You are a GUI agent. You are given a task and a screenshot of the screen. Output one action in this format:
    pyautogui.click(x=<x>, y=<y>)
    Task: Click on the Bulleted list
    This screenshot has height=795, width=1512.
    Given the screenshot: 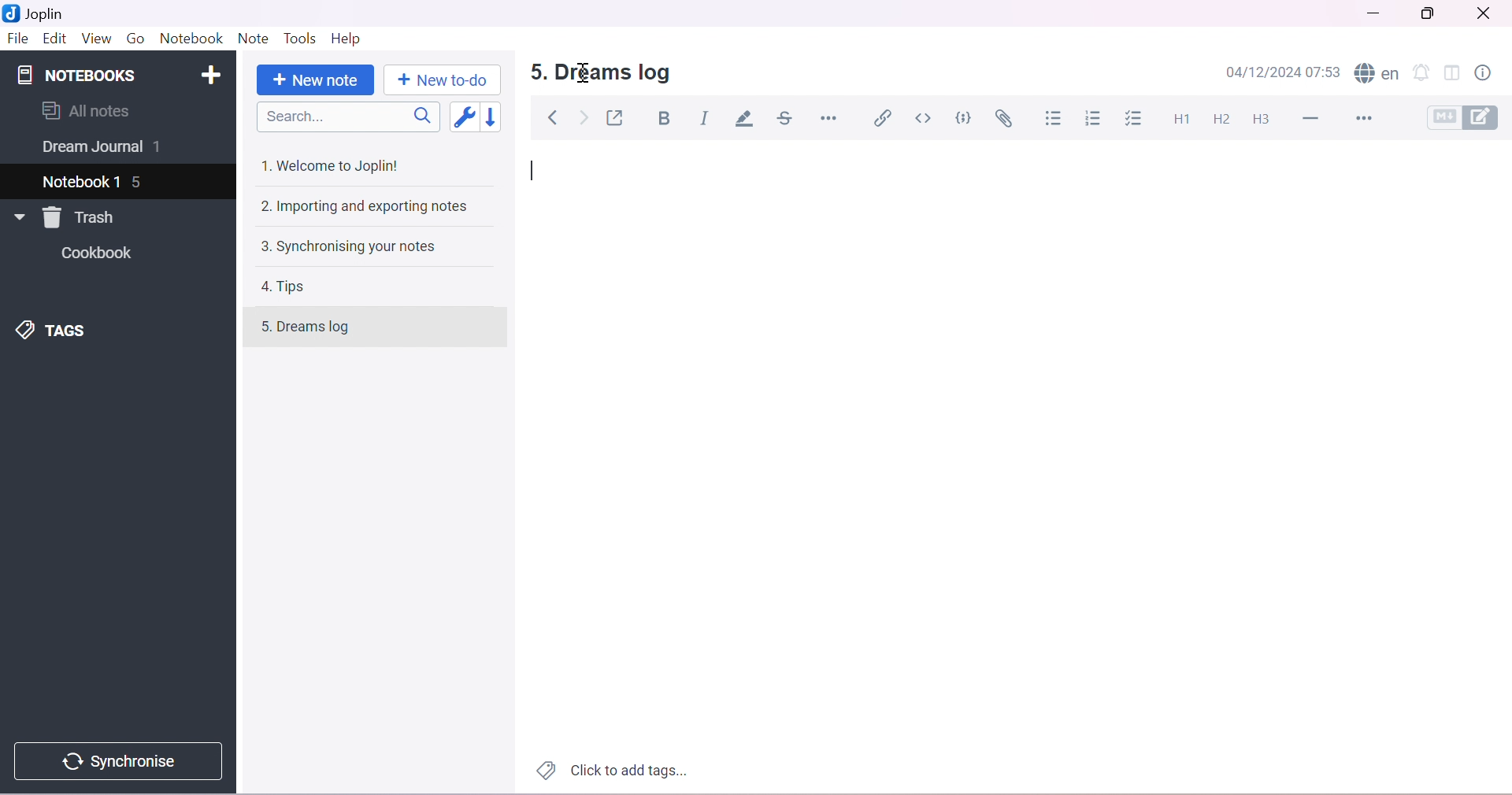 What is the action you would take?
    pyautogui.click(x=1055, y=119)
    